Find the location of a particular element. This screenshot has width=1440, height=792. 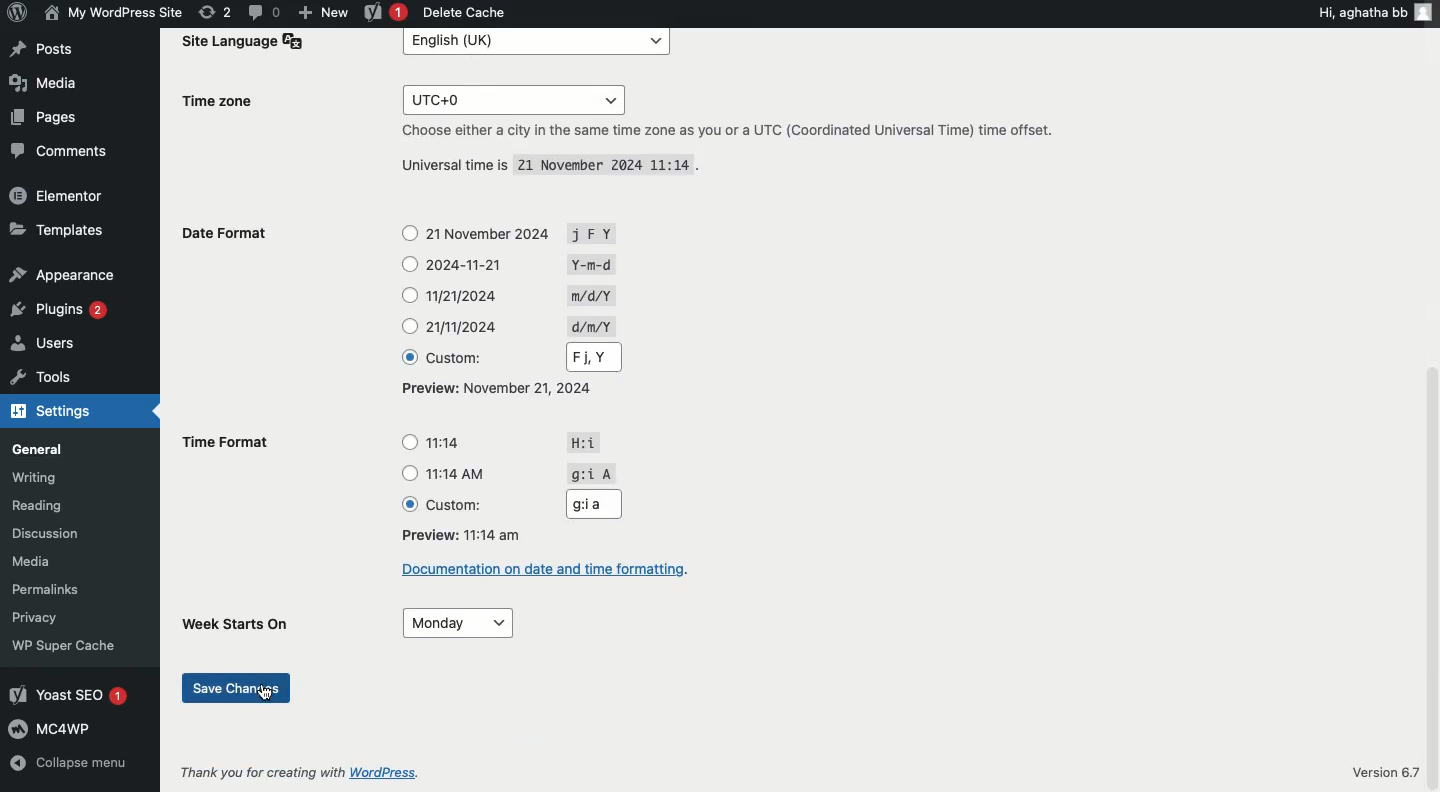

Site language is located at coordinates (238, 44).